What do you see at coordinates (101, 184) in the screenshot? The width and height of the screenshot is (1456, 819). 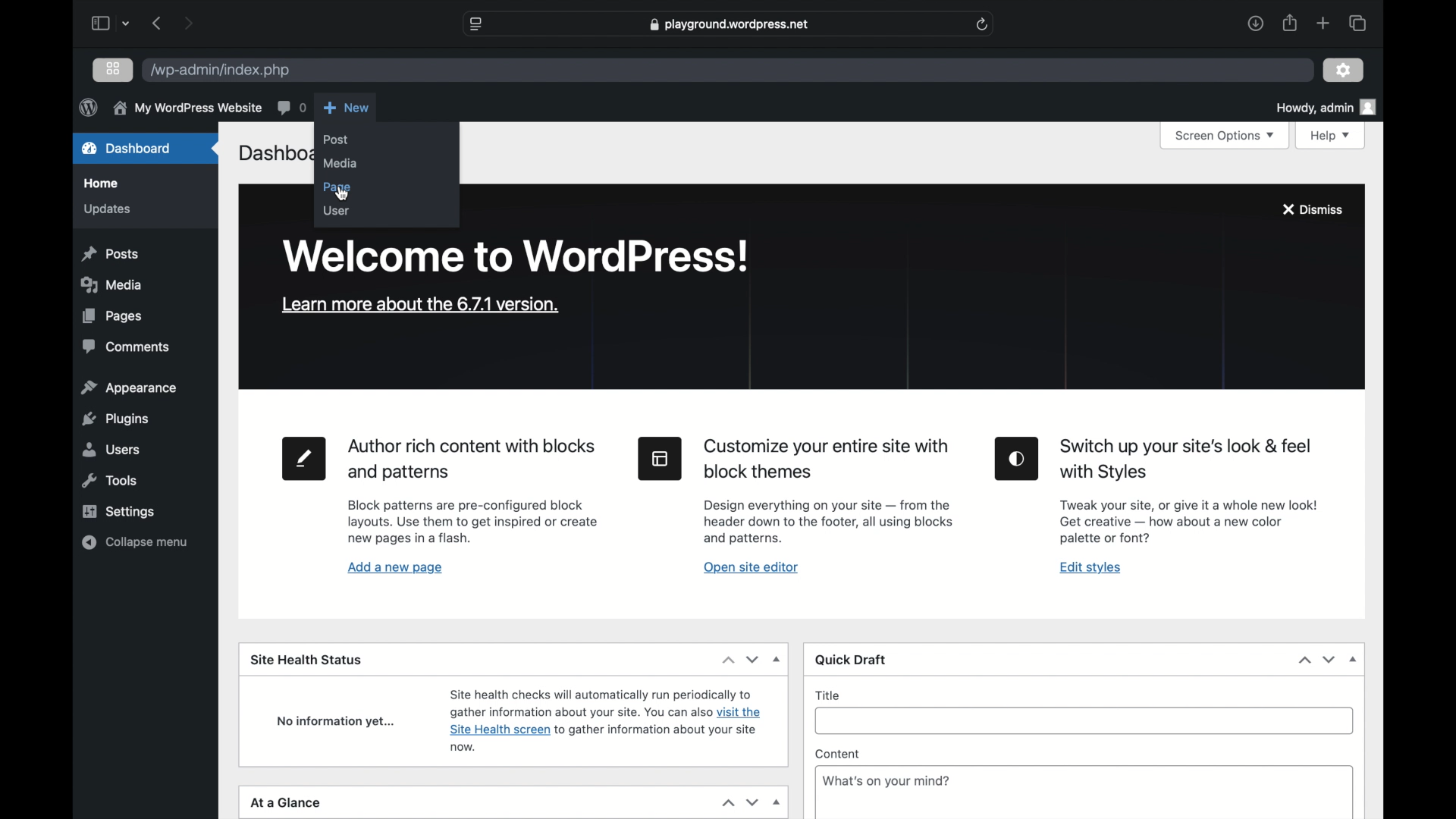 I see `home` at bounding box center [101, 184].